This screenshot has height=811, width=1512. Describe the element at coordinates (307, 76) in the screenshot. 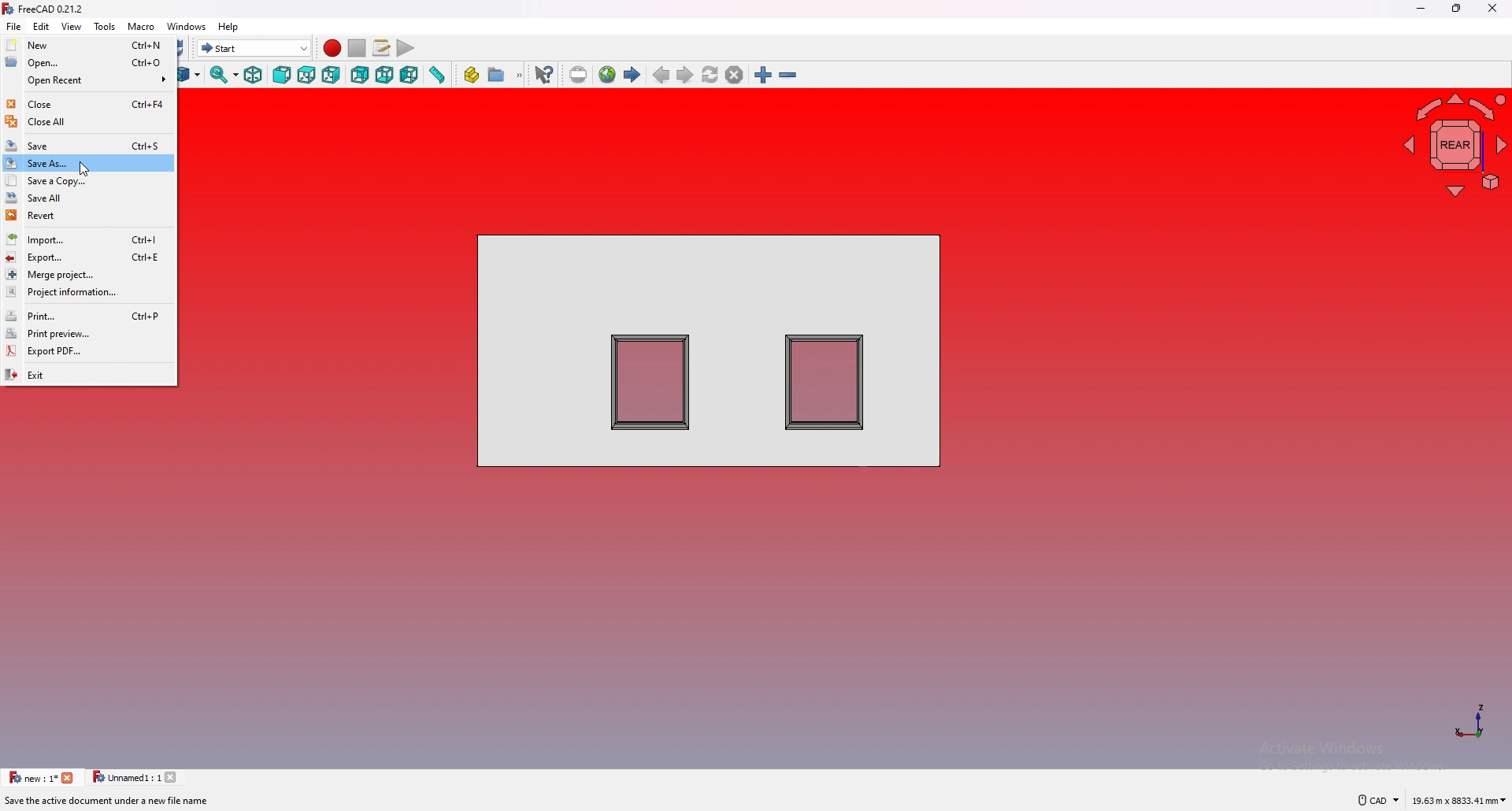

I see `top` at that location.